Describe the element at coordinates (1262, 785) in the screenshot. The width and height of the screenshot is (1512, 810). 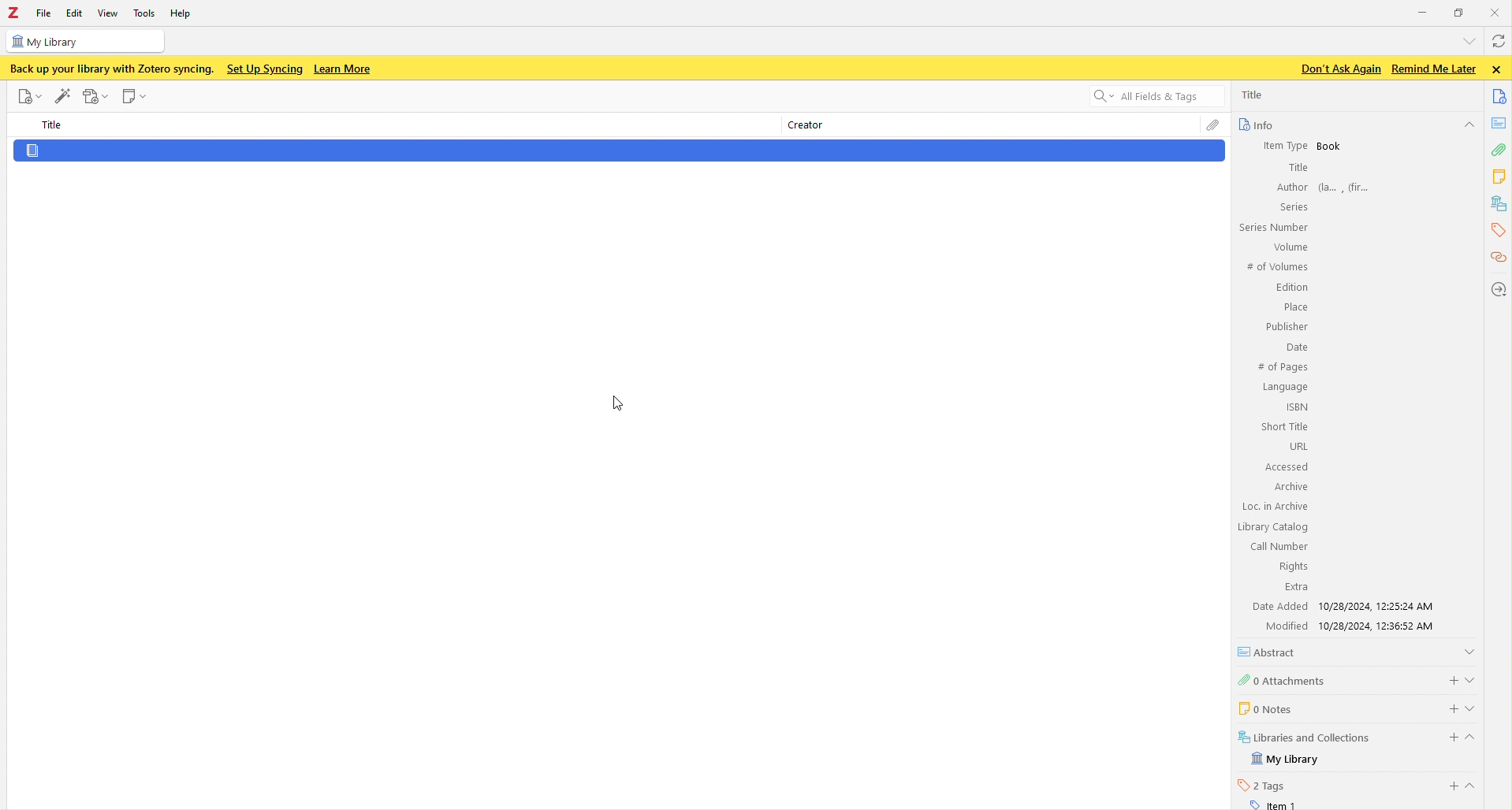
I see `2 Tags` at that location.